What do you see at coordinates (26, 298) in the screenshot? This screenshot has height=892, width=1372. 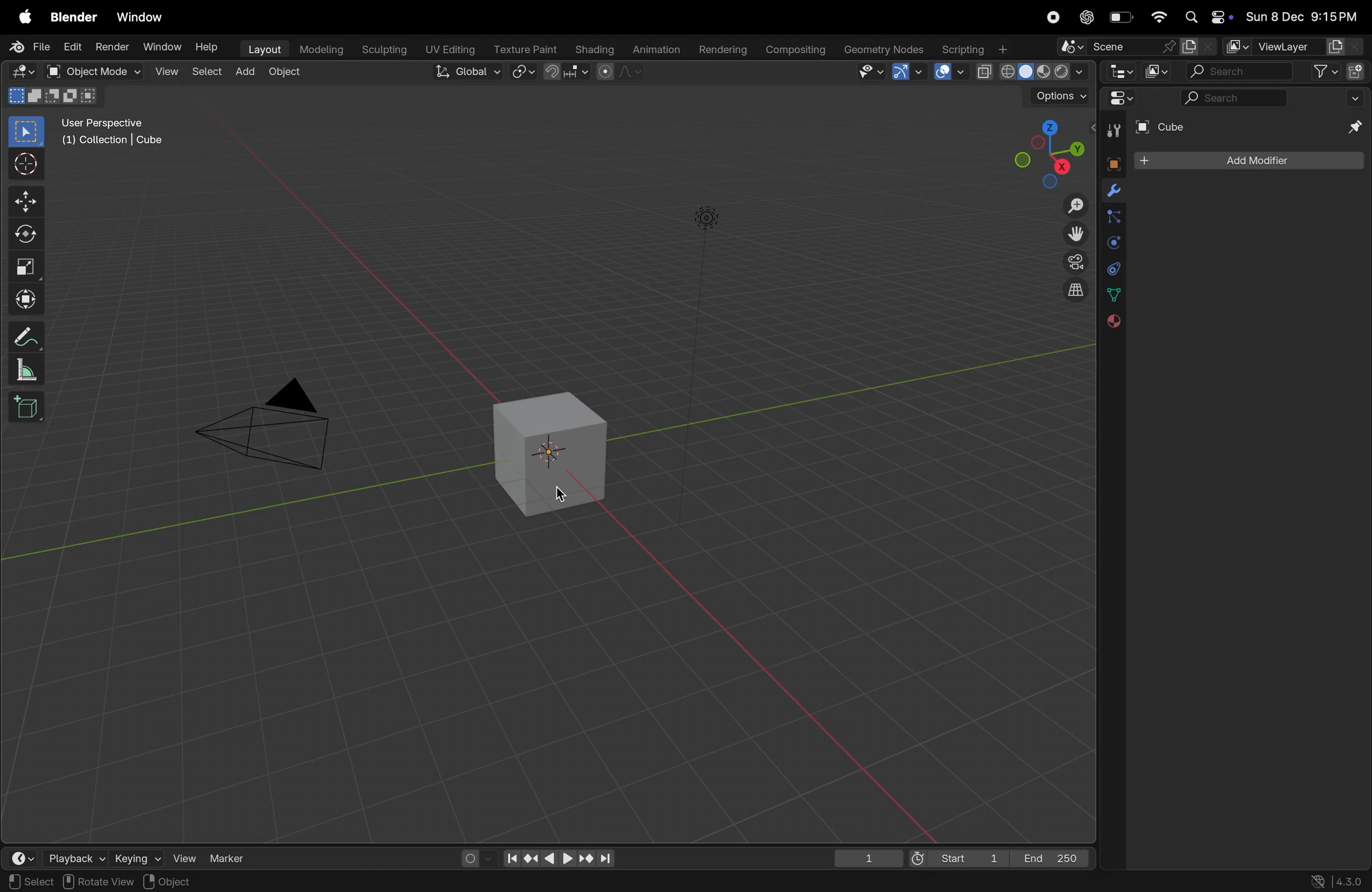 I see `transform` at bounding box center [26, 298].